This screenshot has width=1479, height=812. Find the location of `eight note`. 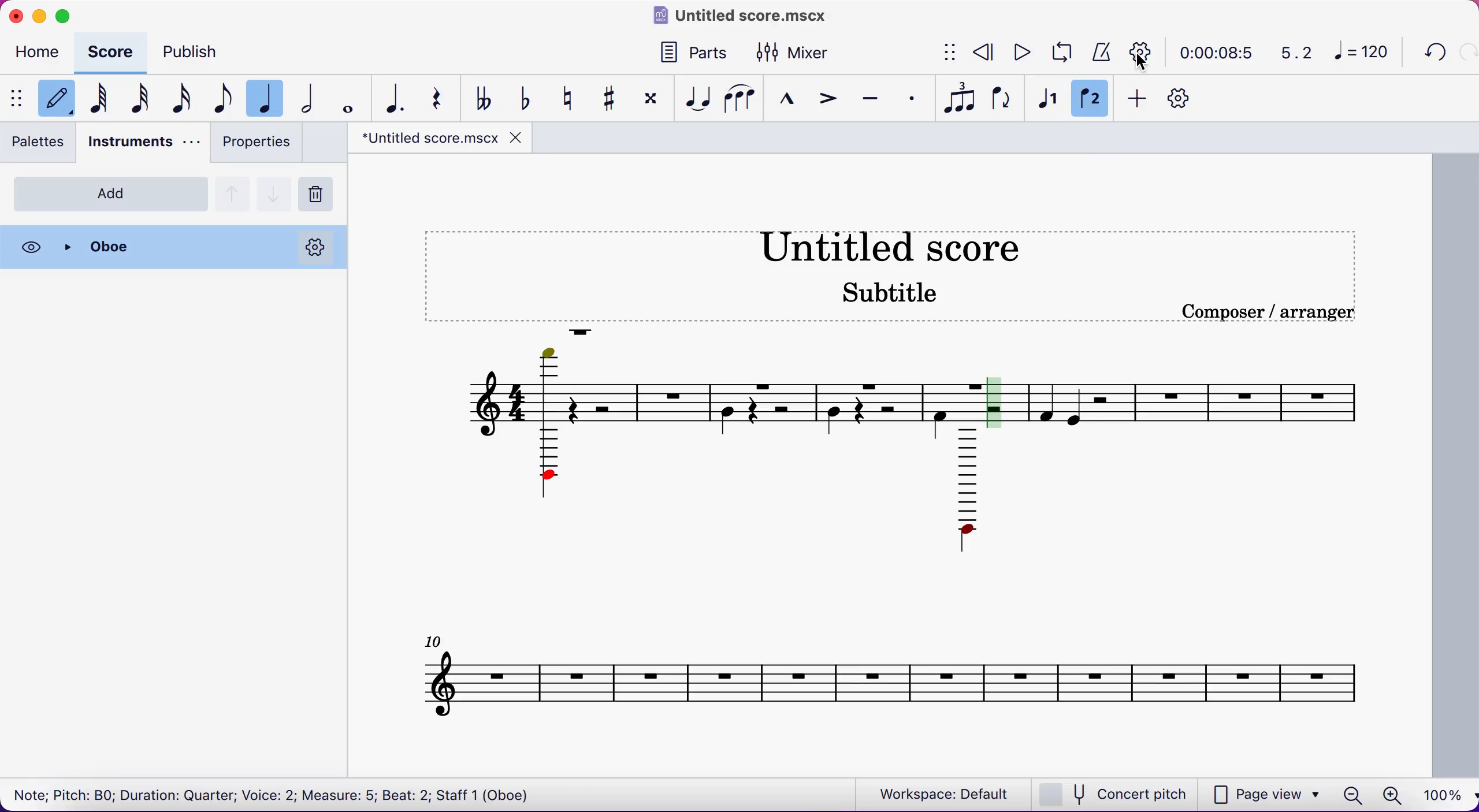

eight note is located at coordinates (221, 100).